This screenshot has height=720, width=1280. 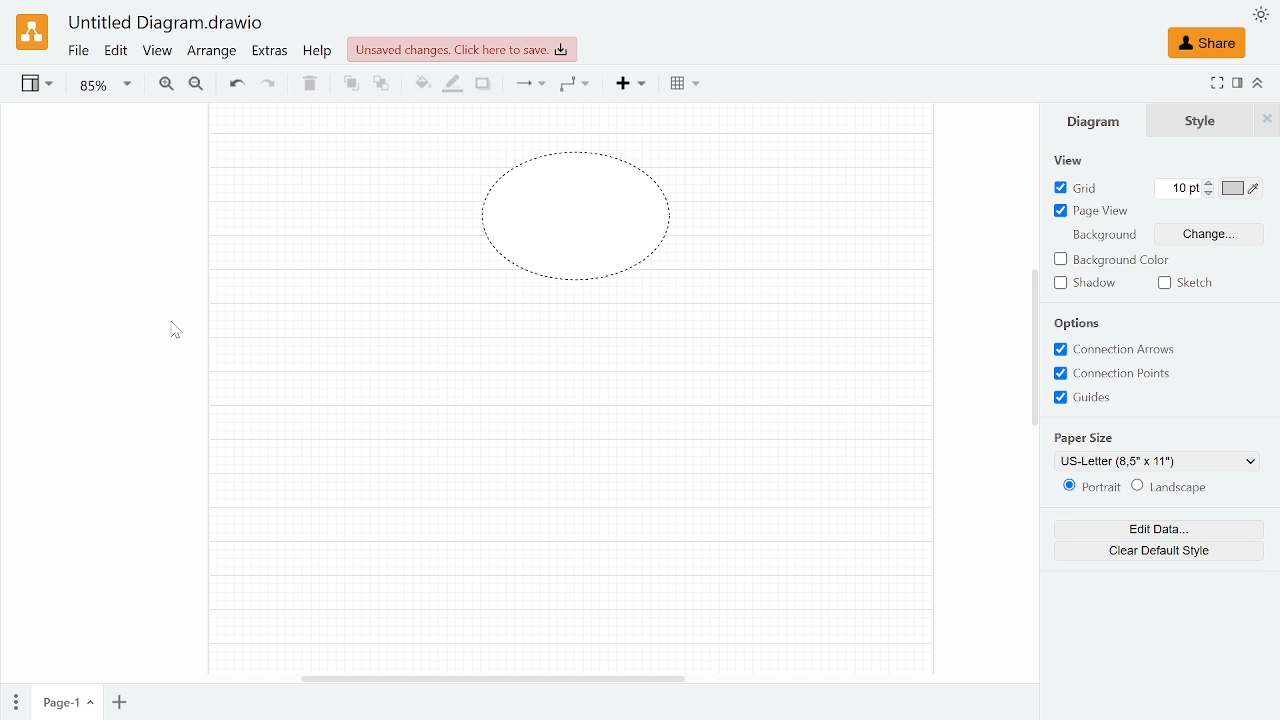 What do you see at coordinates (1109, 399) in the screenshot?
I see `Guides` at bounding box center [1109, 399].